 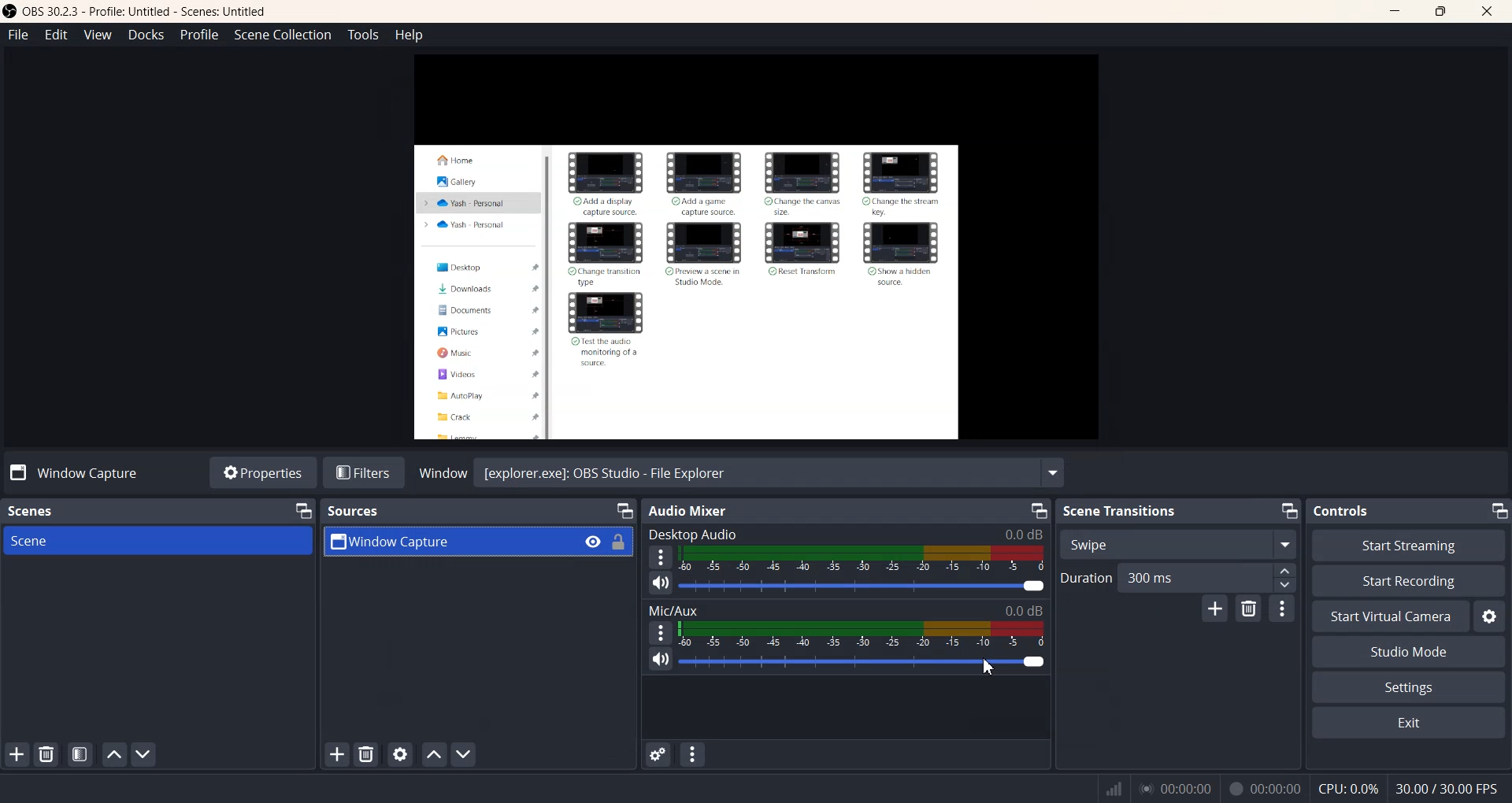 I want to click on Move source up, so click(x=434, y=754).